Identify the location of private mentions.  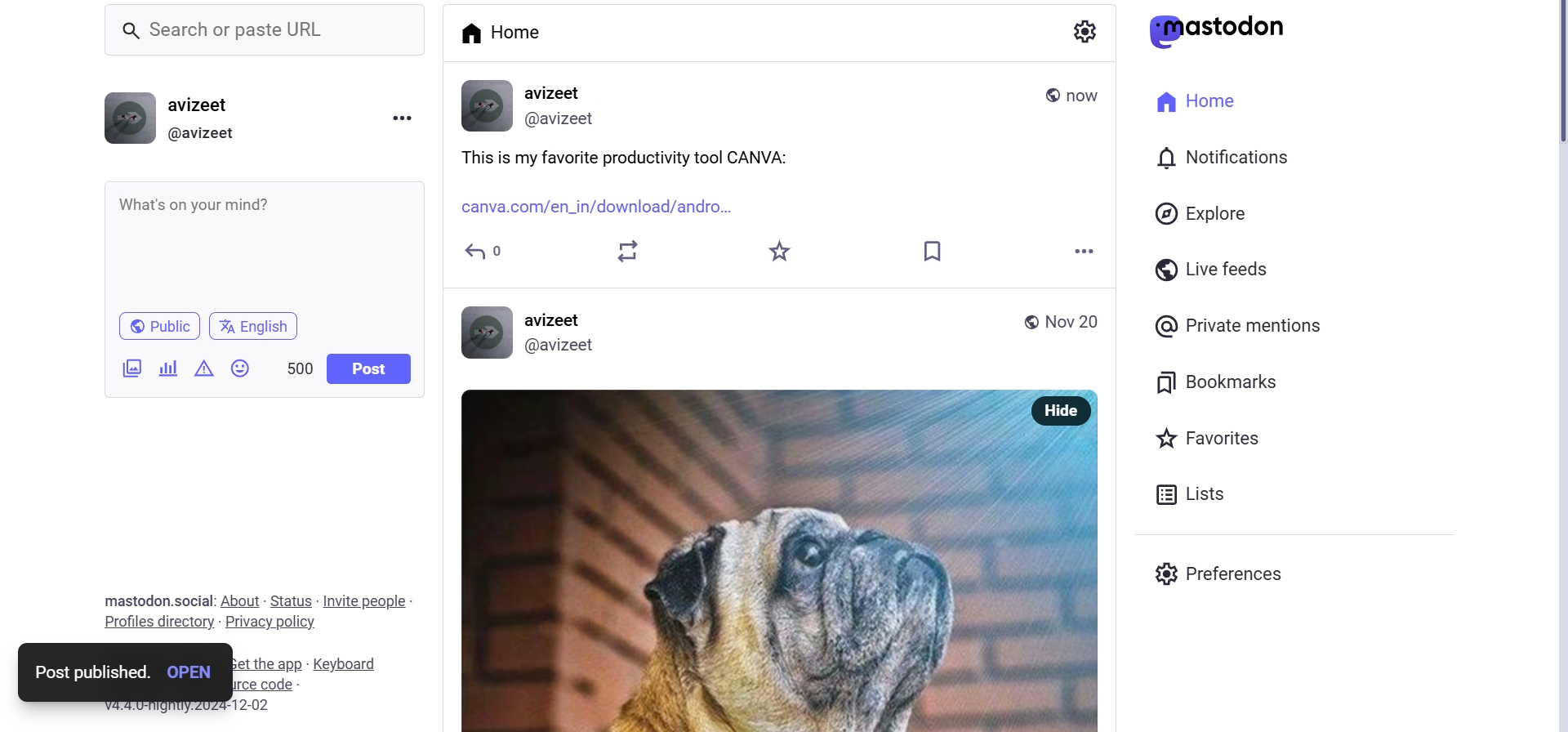
(1258, 323).